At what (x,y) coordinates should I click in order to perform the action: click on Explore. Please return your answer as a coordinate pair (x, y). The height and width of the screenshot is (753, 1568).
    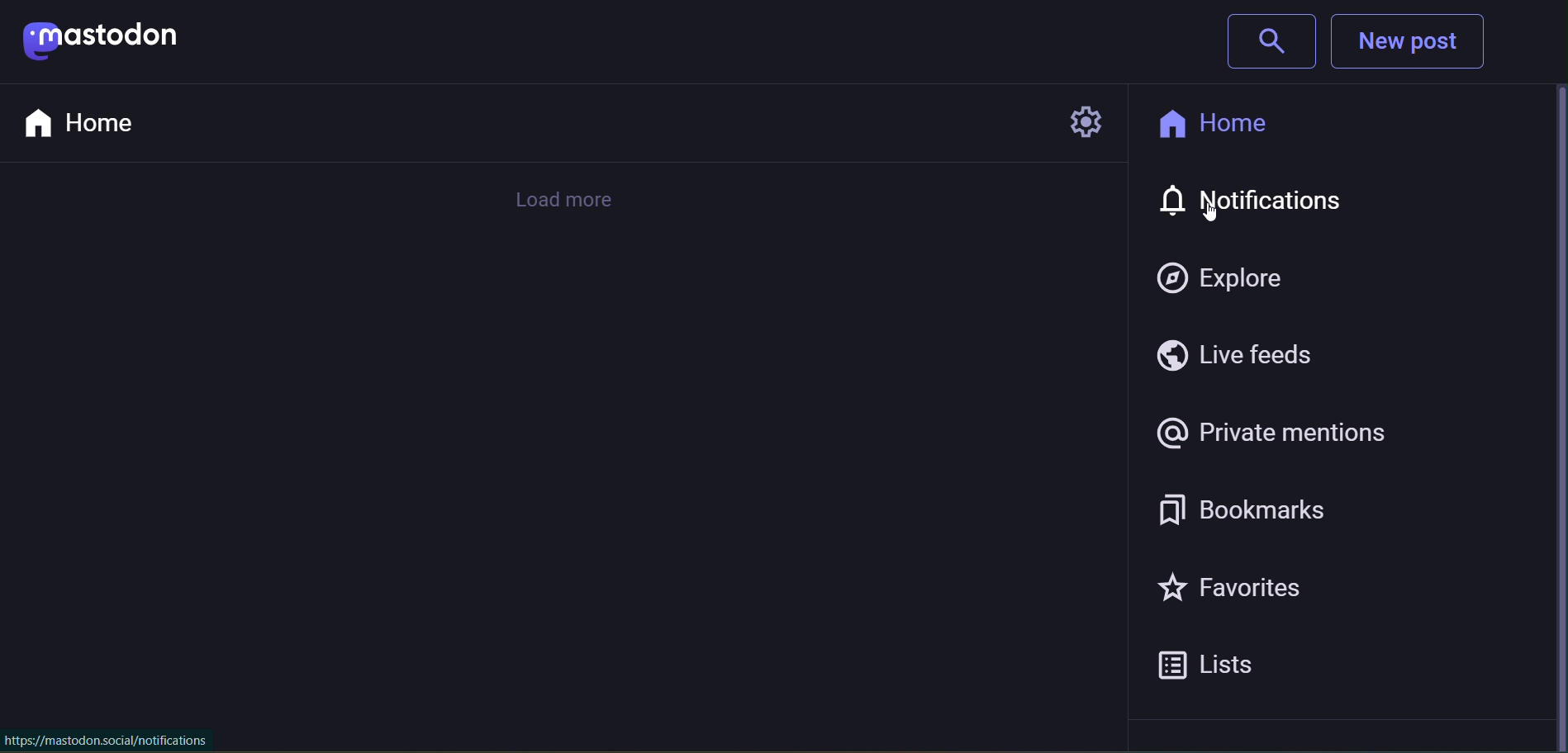
    Looking at the image, I should click on (1225, 278).